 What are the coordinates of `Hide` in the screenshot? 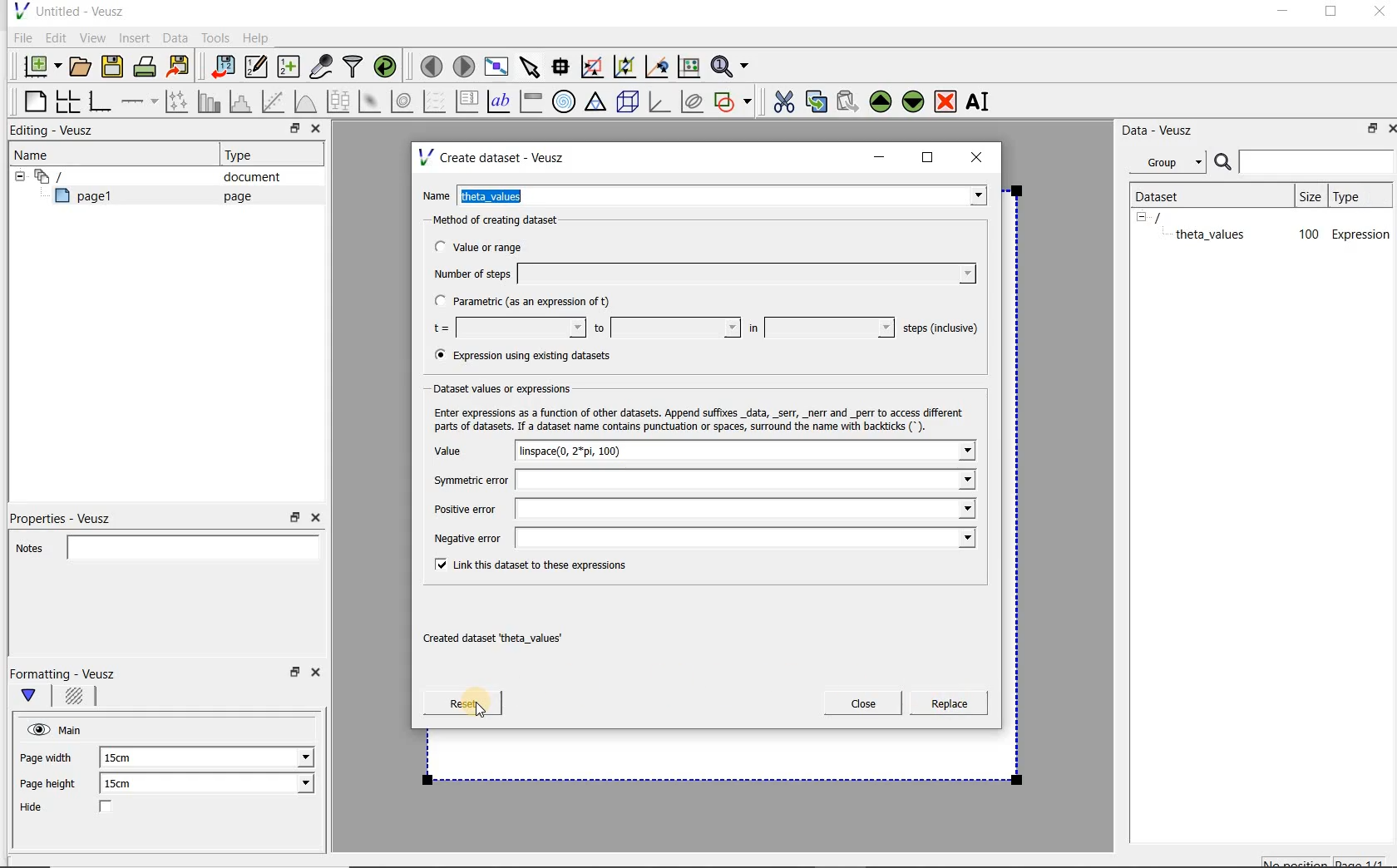 It's located at (82, 808).